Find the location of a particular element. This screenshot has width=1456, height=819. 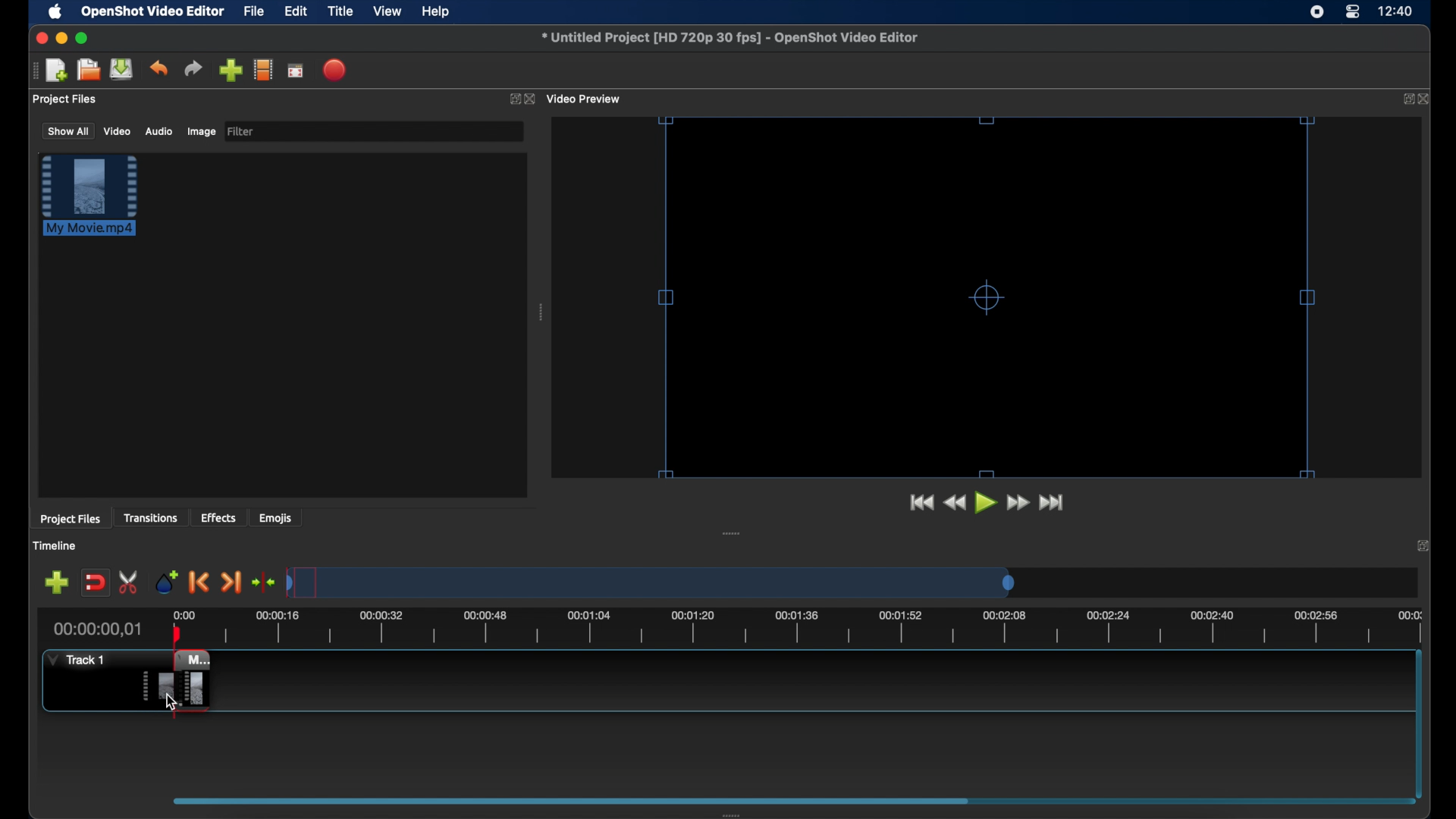

close is located at coordinates (39, 38).